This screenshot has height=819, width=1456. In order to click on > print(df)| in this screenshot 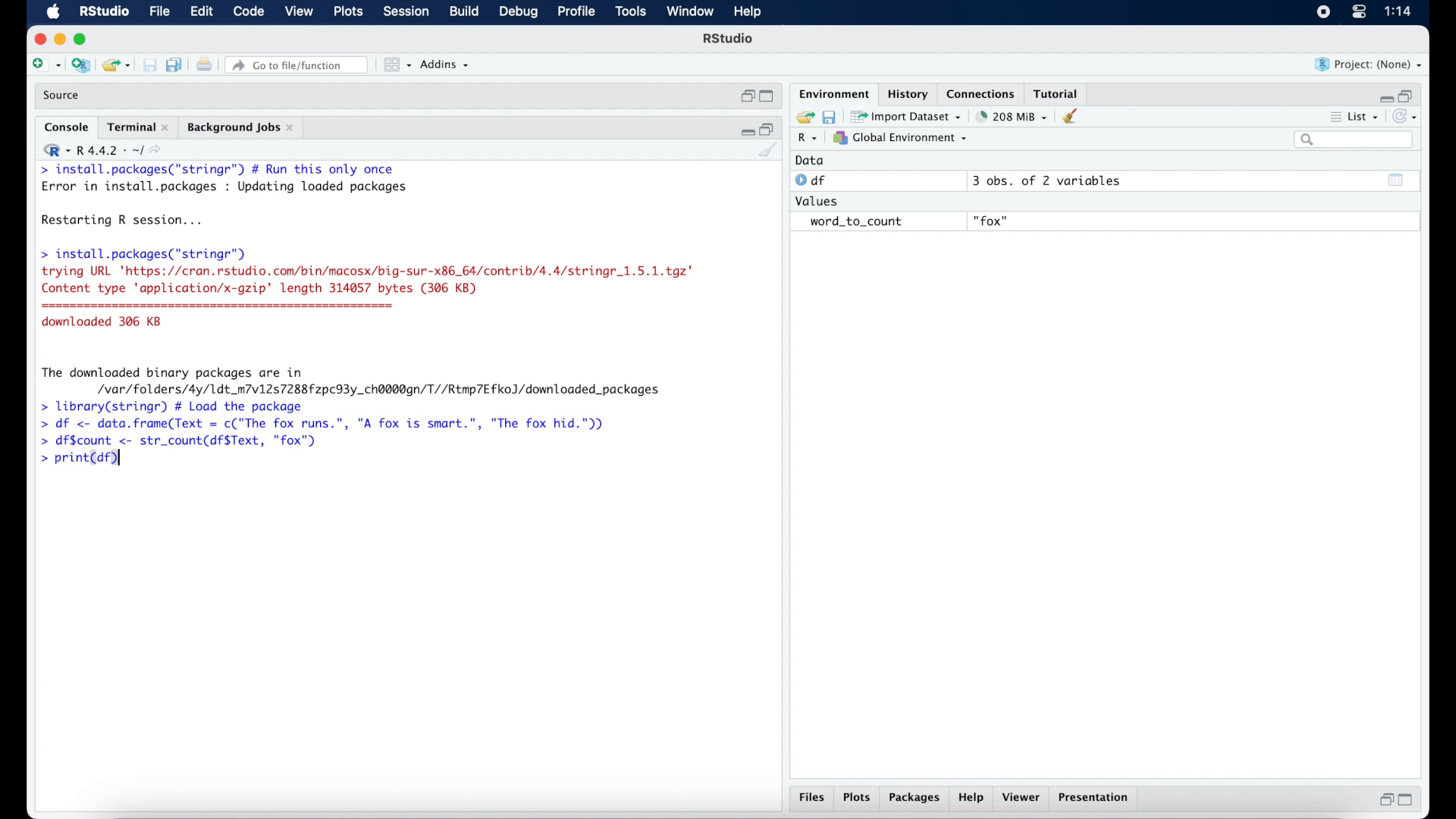, I will do `click(79, 460)`.